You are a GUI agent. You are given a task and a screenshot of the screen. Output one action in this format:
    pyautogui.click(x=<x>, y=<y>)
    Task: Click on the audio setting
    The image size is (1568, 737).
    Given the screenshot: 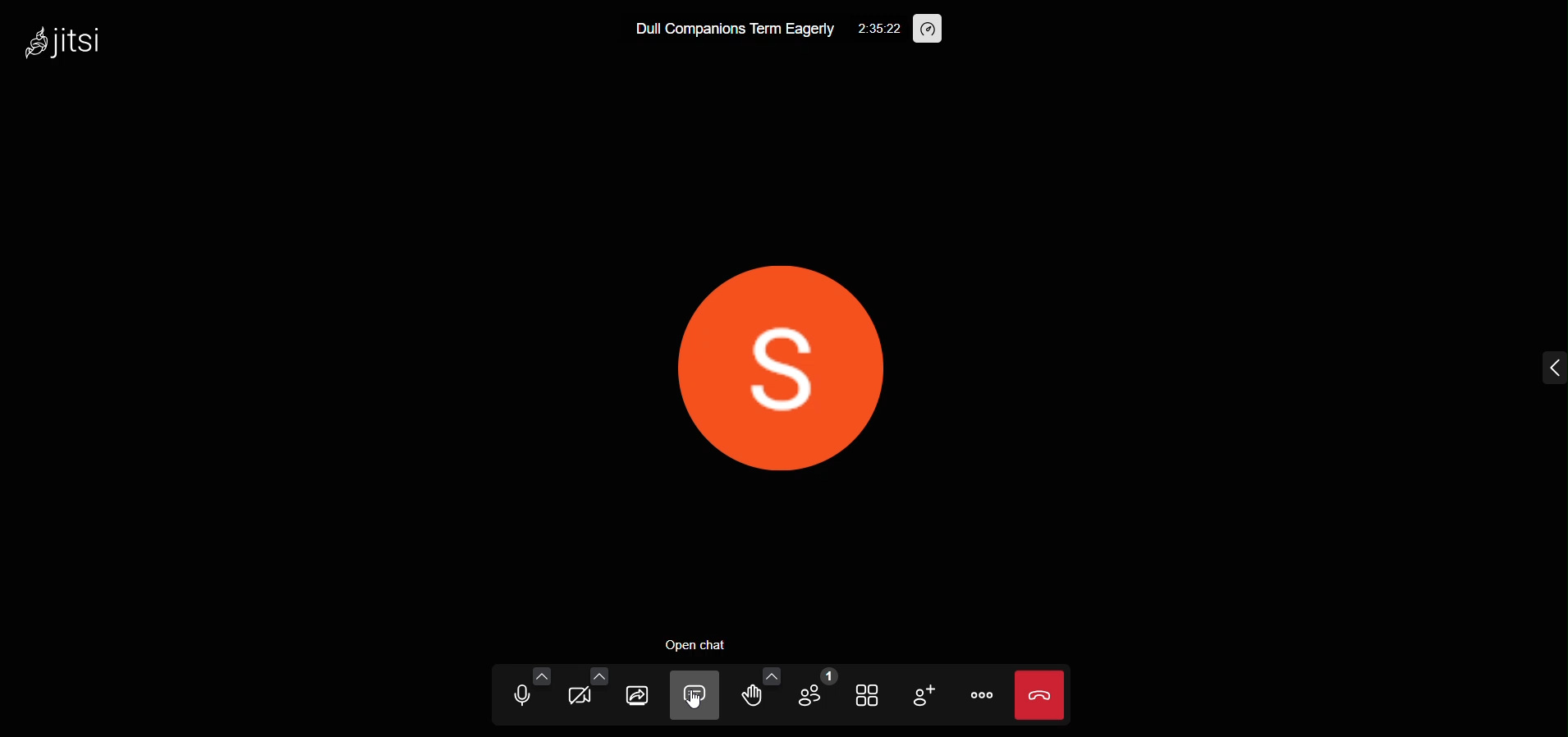 What is the action you would take?
    pyautogui.click(x=541, y=675)
    